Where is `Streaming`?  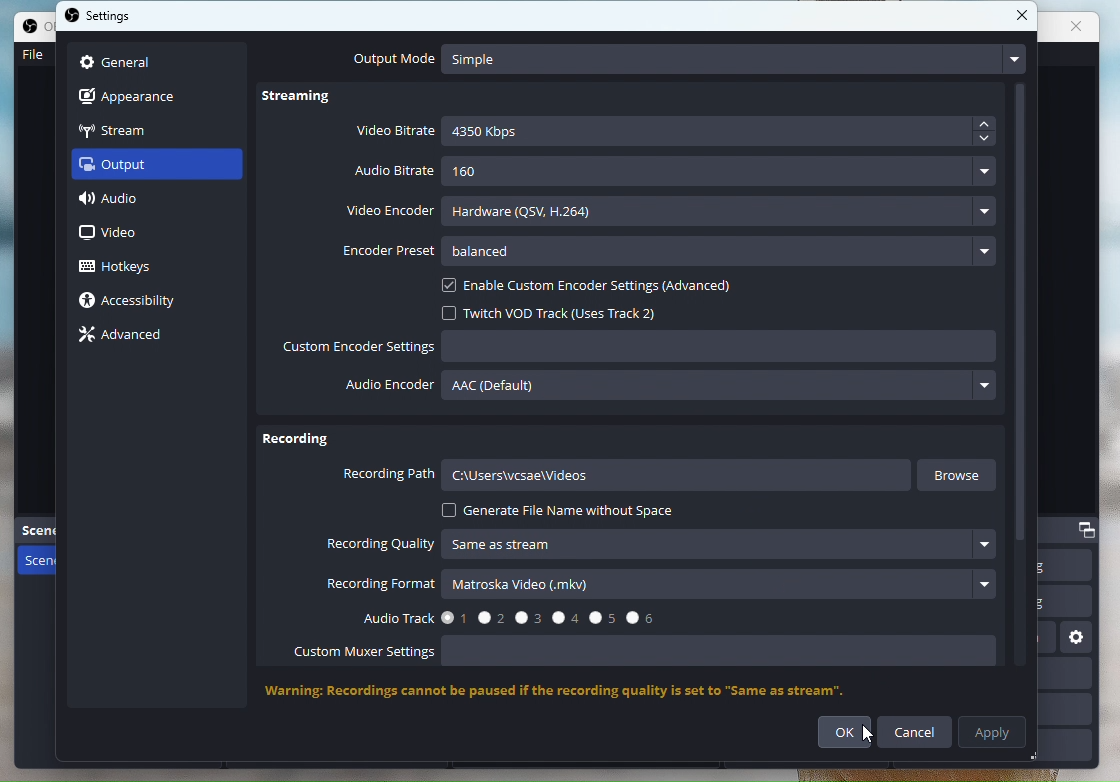 Streaming is located at coordinates (308, 100).